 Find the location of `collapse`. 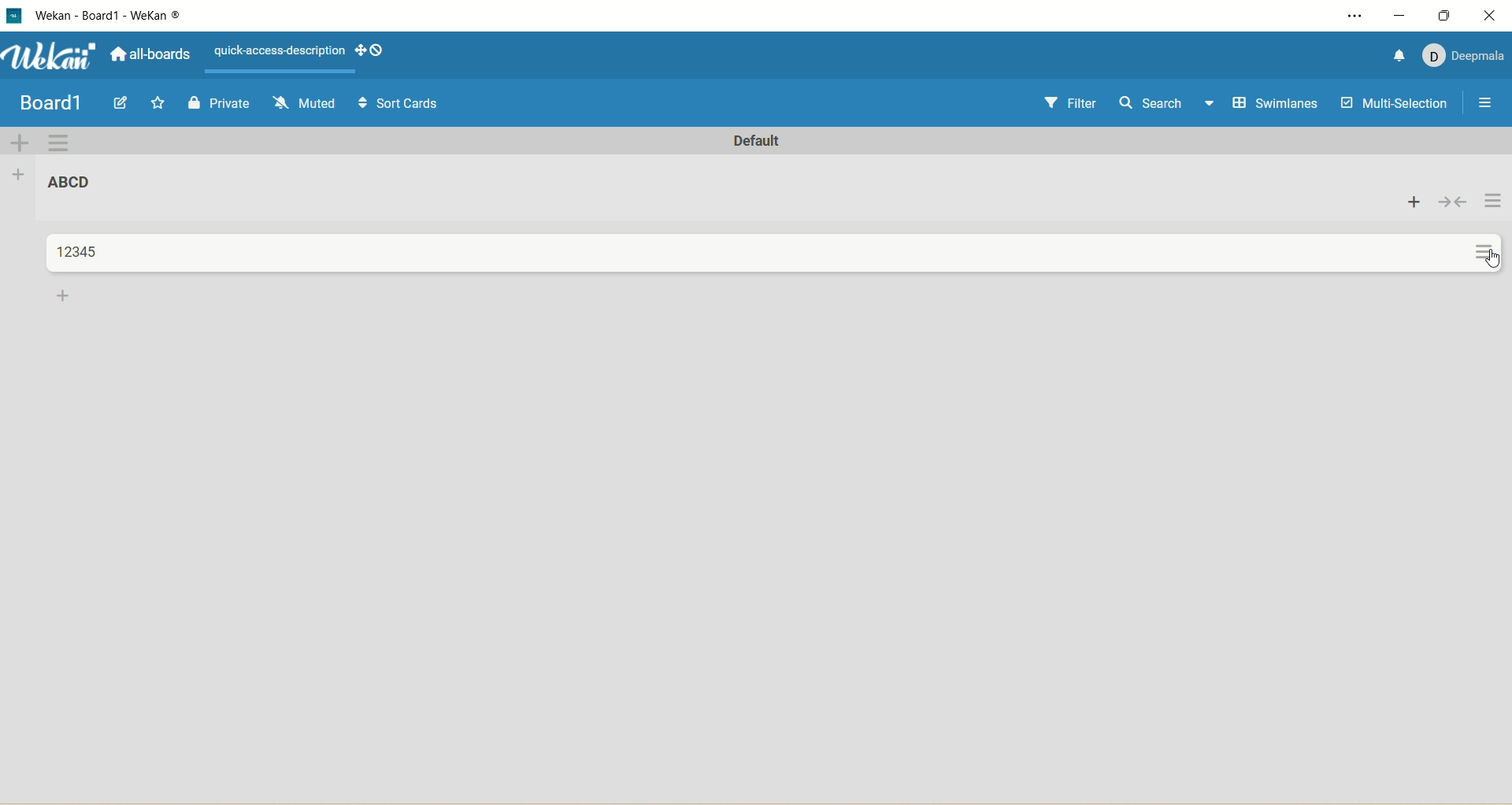

collapse is located at coordinates (1454, 202).